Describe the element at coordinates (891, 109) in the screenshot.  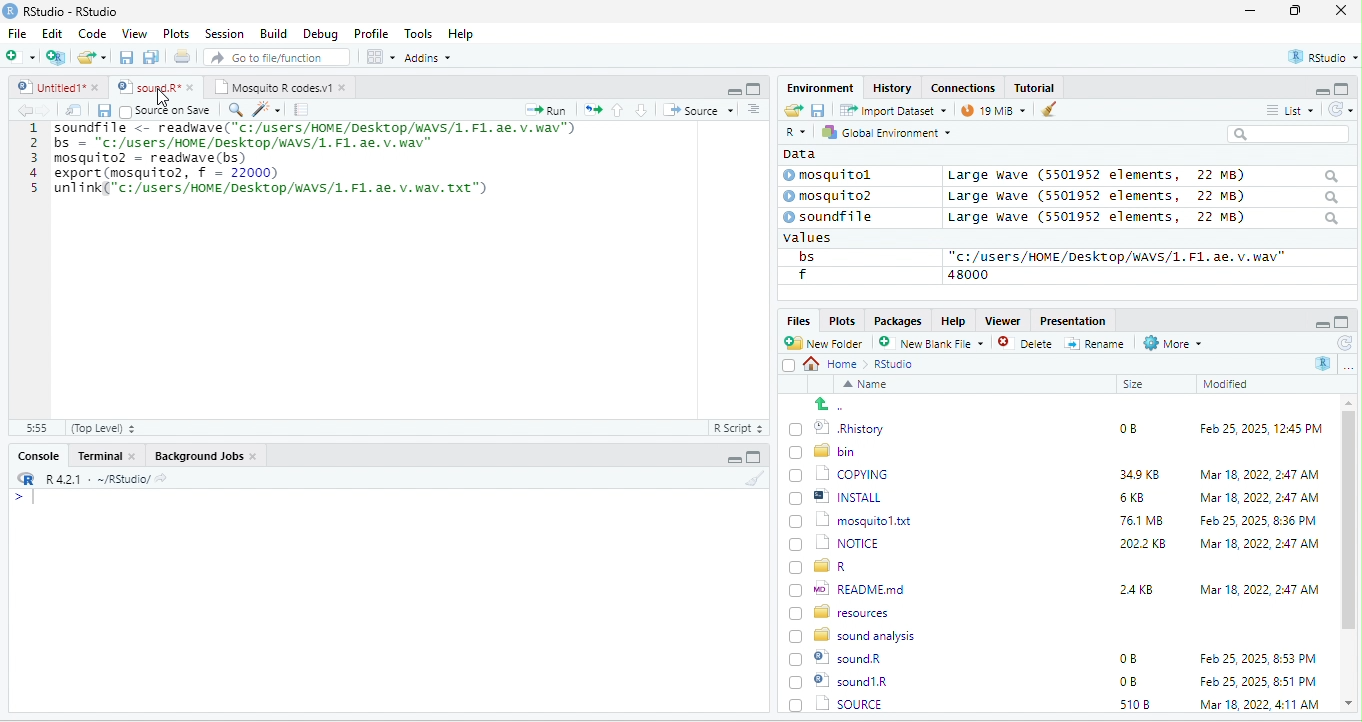
I see `# import Dataset` at that location.